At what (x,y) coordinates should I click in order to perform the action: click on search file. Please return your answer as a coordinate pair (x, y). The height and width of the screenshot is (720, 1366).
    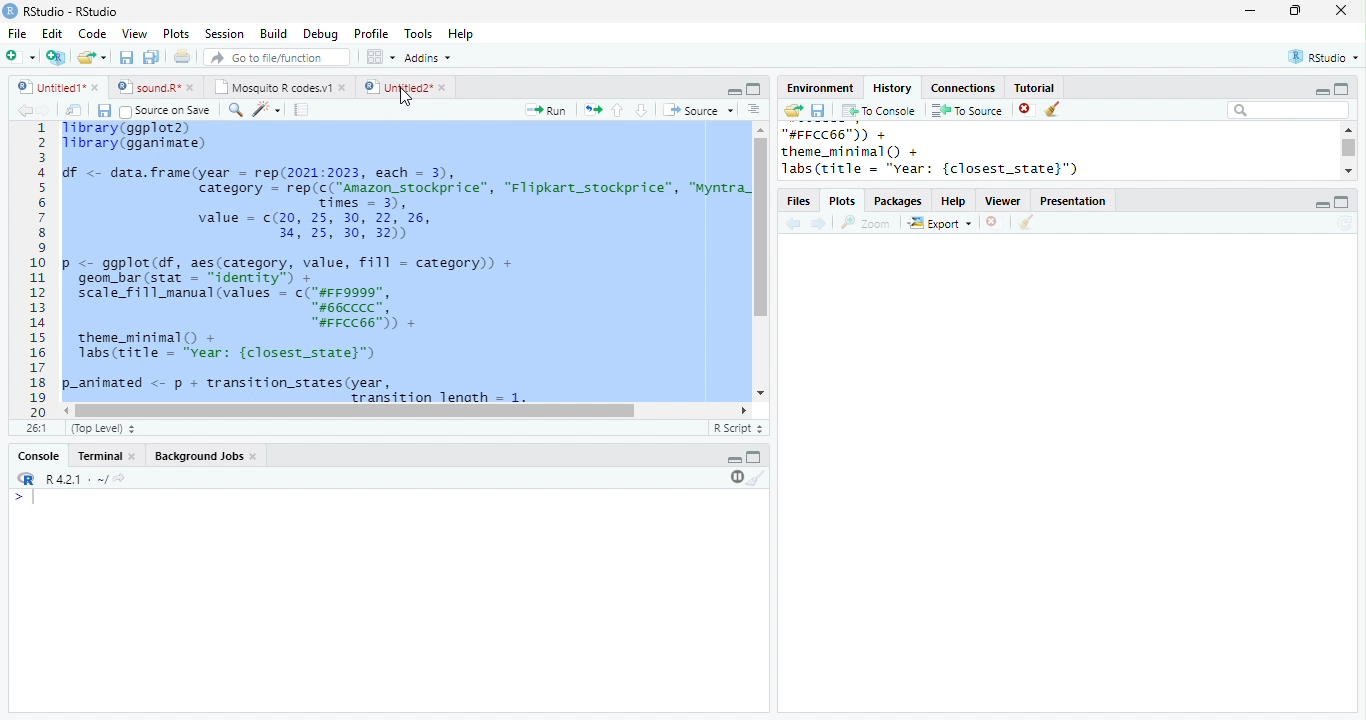
    Looking at the image, I should click on (275, 57).